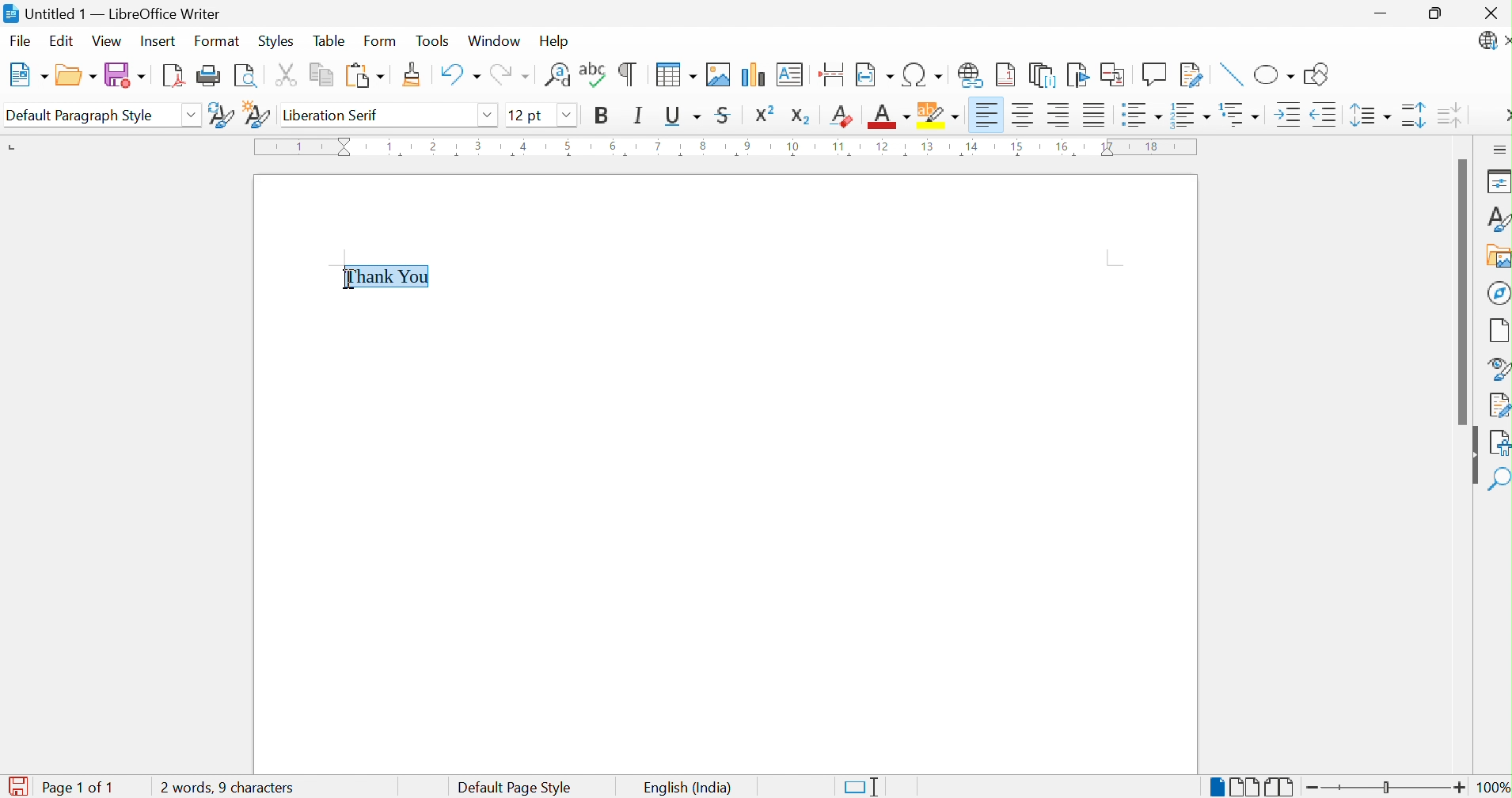  I want to click on Increase Indent, so click(1286, 115).